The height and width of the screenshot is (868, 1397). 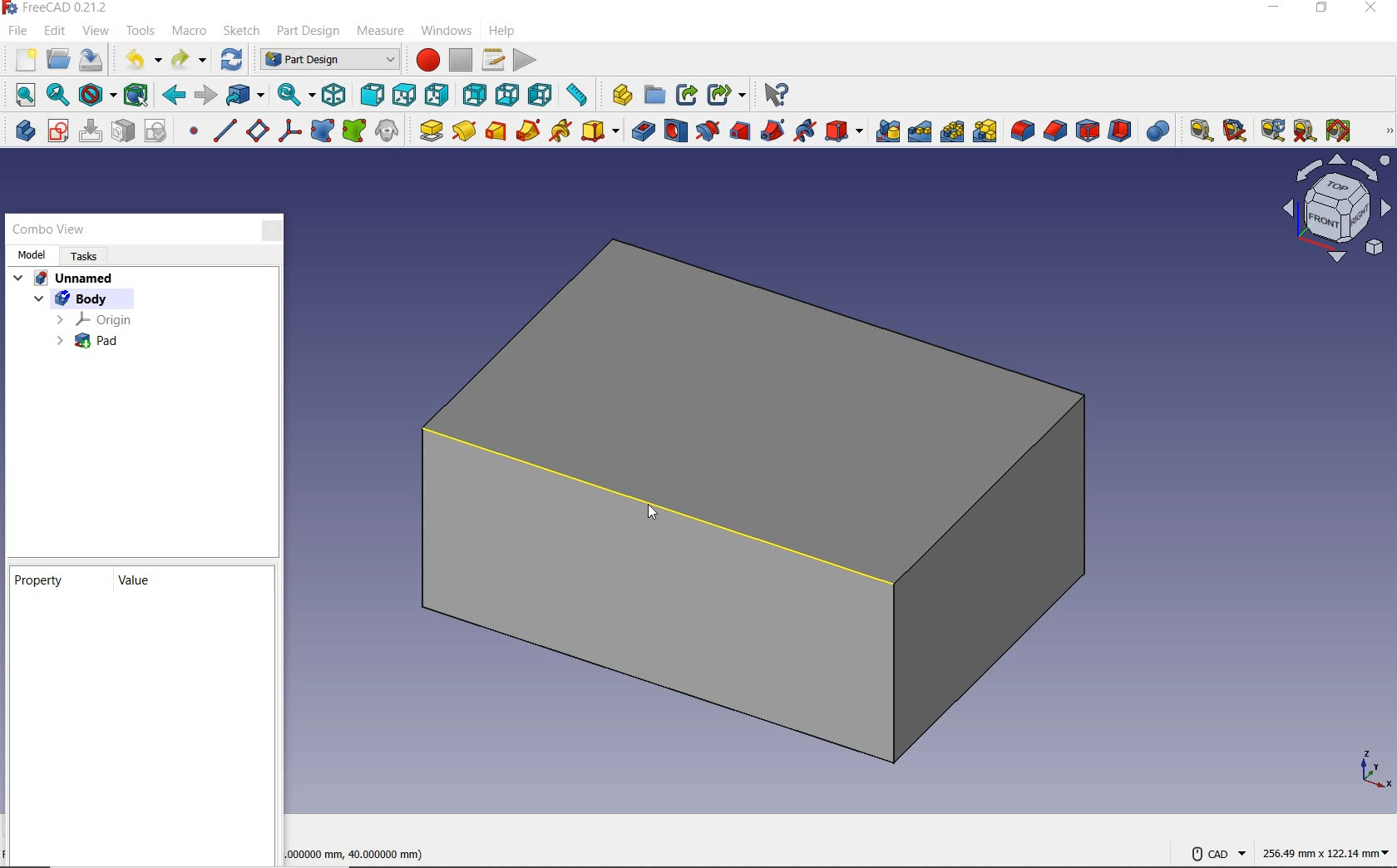 What do you see at coordinates (885, 131) in the screenshot?
I see `mirrored` at bounding box center [885, 131].